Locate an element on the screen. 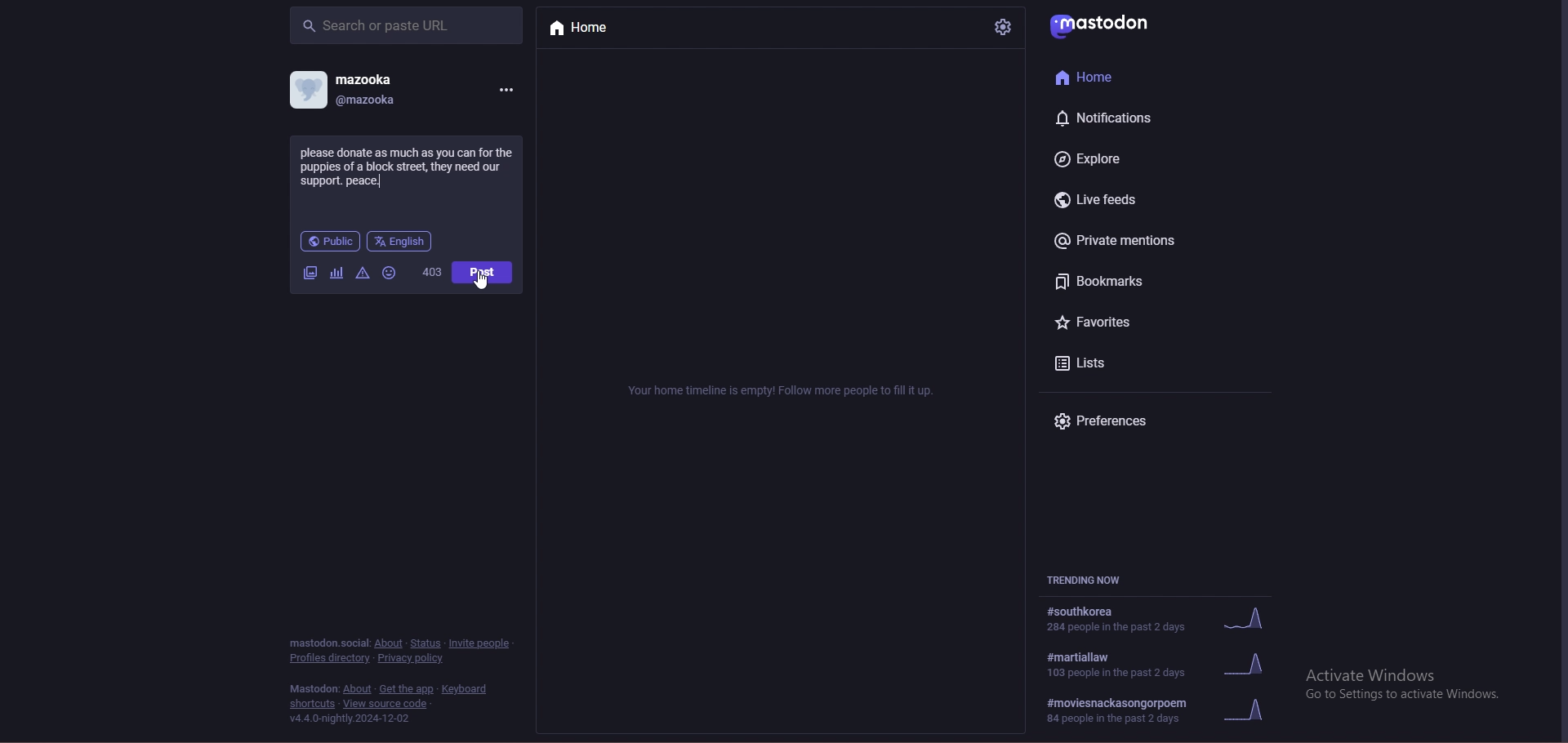 The height and width of the screenshot is (743, 1568). cursor is located at coordinates (481, 280).